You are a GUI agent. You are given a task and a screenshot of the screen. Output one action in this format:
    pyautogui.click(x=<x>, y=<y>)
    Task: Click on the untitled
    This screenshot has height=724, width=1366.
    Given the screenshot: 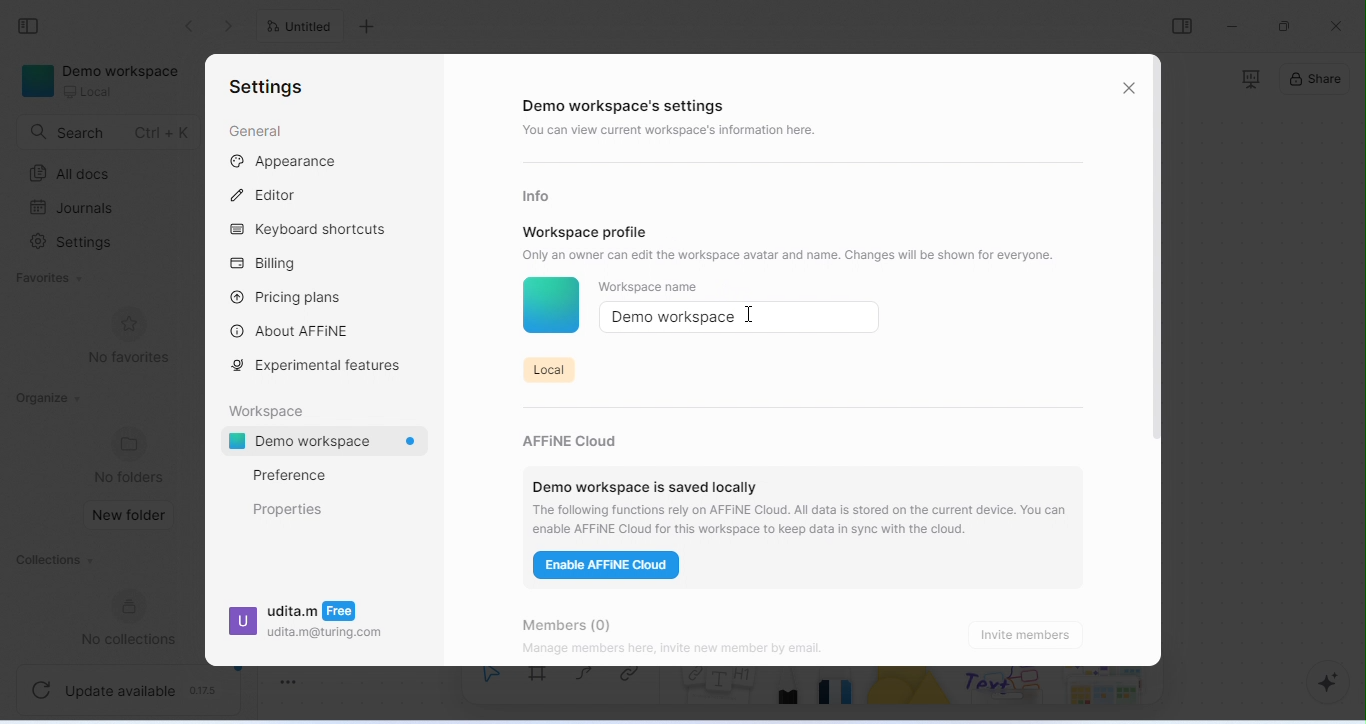 What is the action you would take?
    pyautogui.click(x=304, y=28)
    